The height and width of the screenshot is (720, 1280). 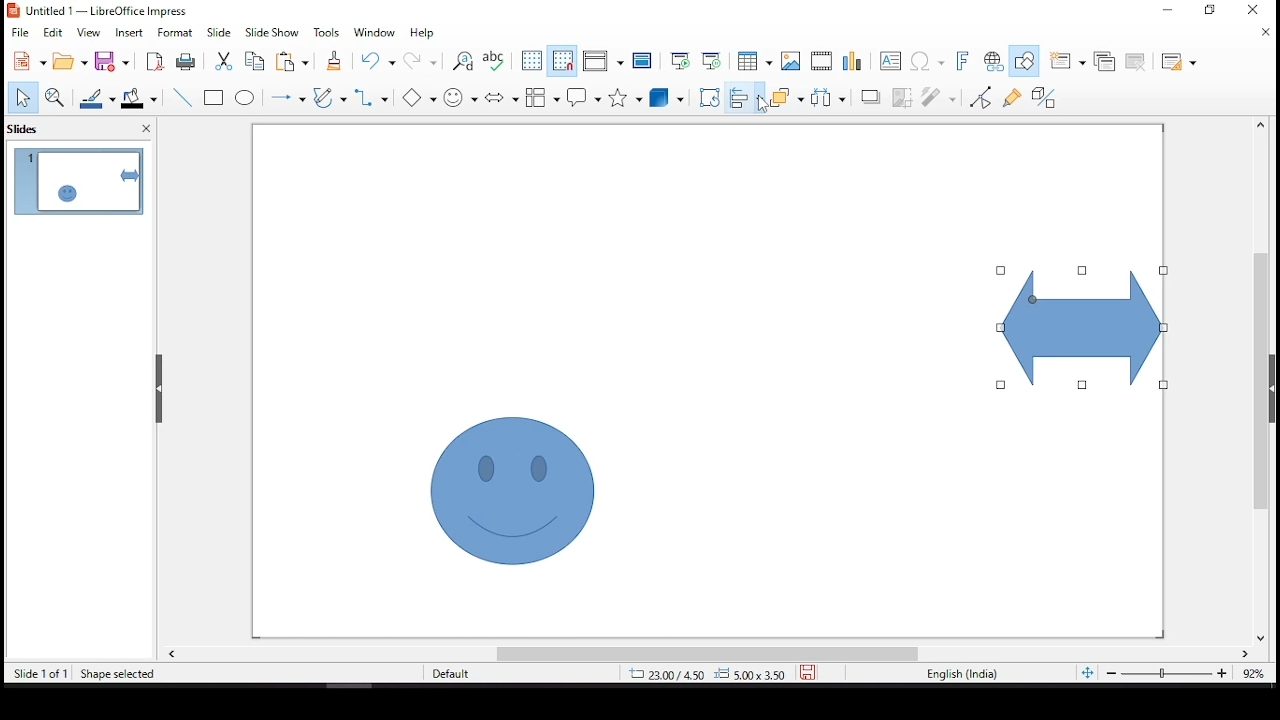 What do you see at coordinates (153, 61) in the screenshot?
I see `export as pdf` at bounding box center [153, 61].